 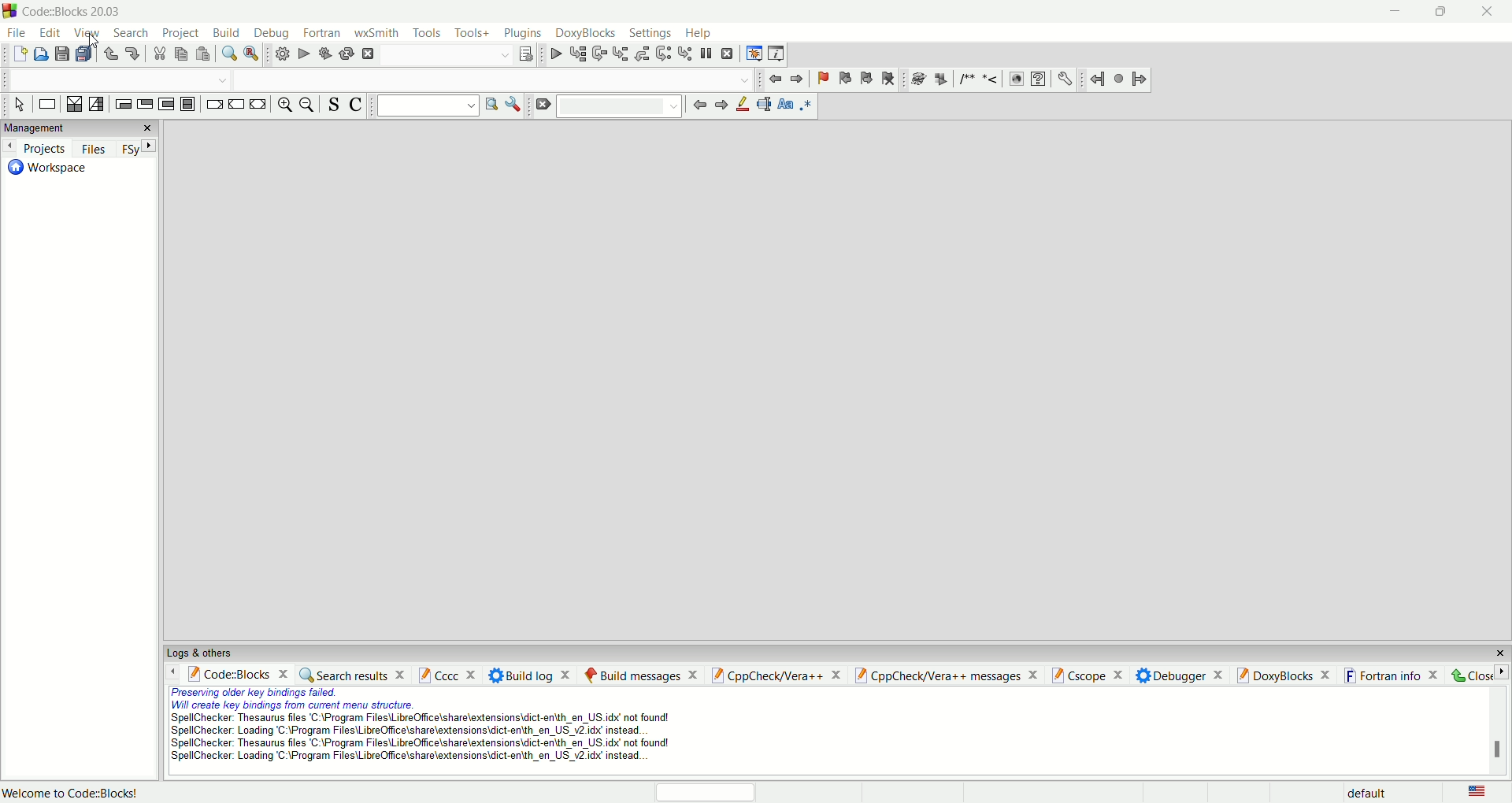 What do you see at coordinates (146, 104) in the screenshot?
I see `exit condition loop` at bounding box center [146, 104].